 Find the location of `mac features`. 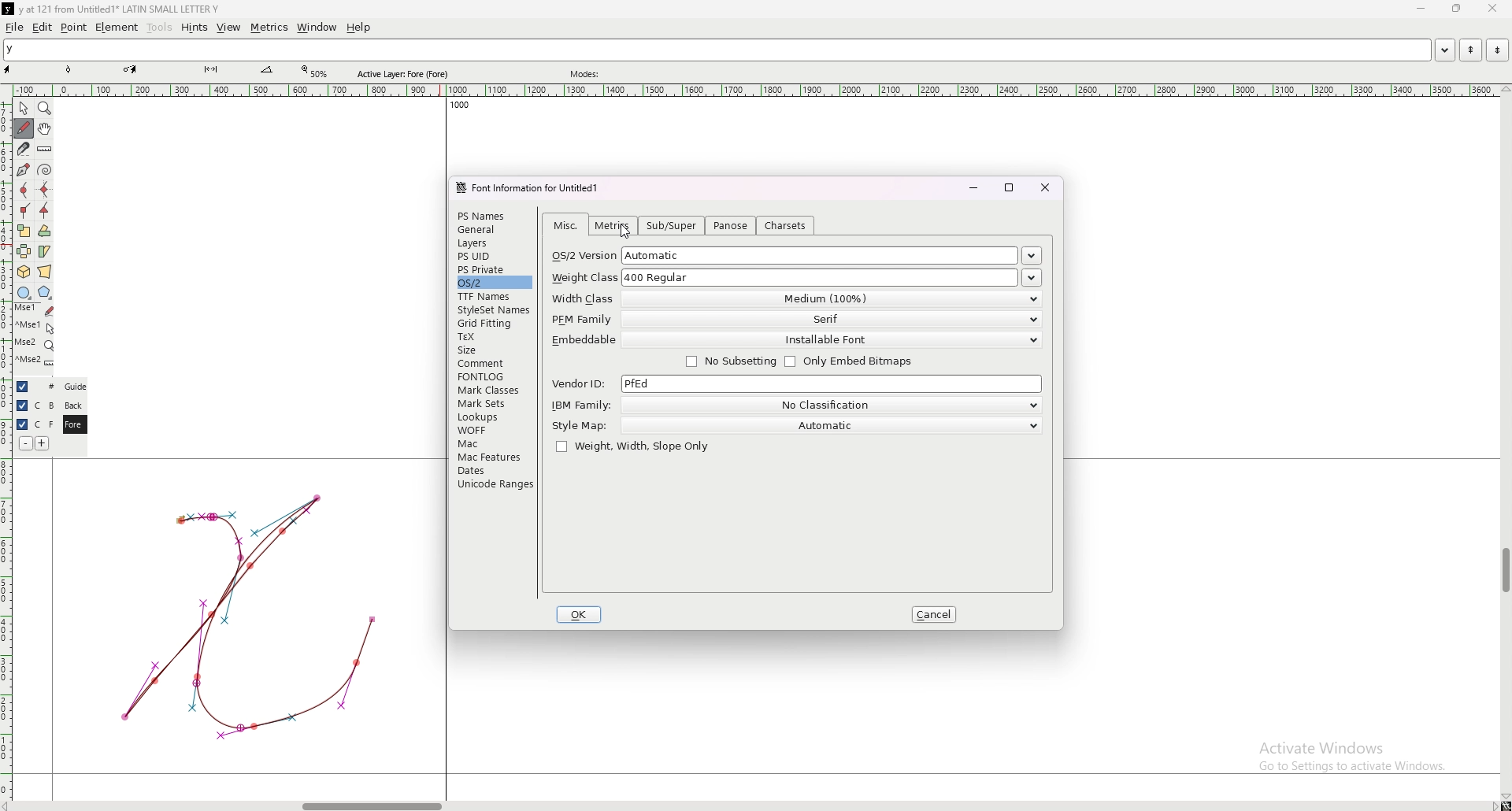

mac features is located at coordinates (494, 457).